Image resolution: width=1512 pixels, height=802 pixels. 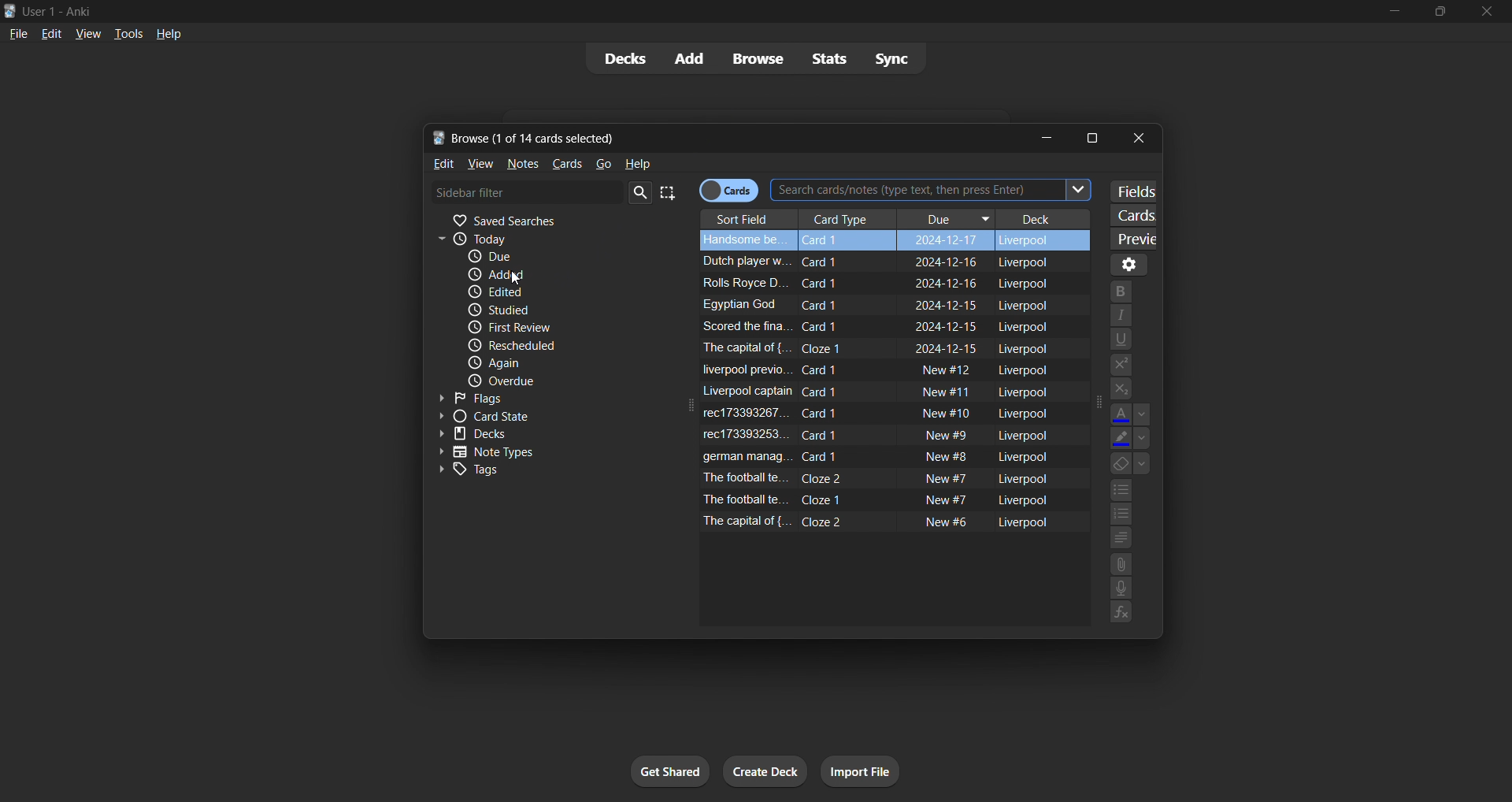 What do you see at coordinates (946, 216) in the screenshot?
I see `due column` at bounding box center [946, 216].